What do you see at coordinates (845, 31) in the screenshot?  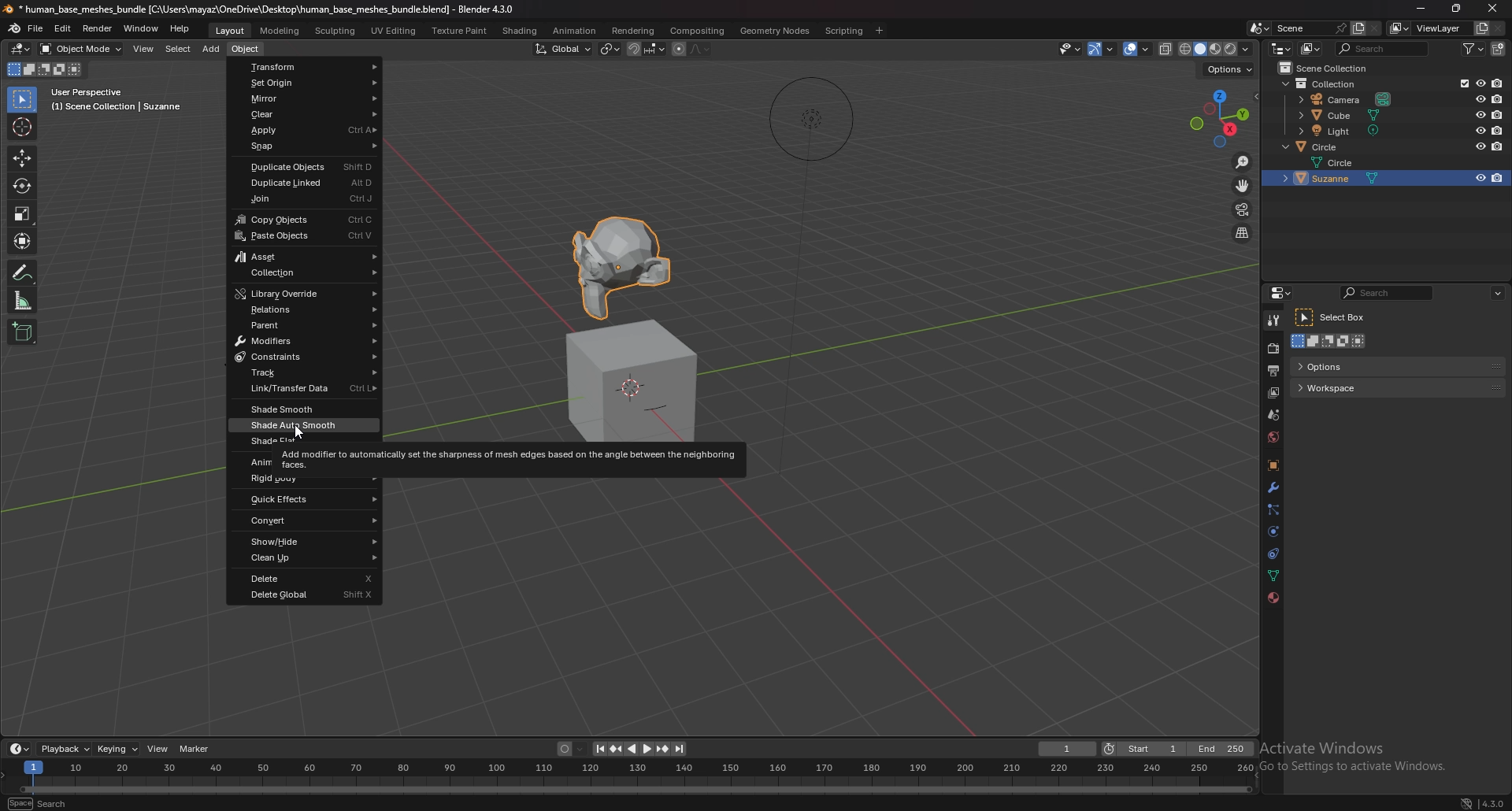 I see `scripting` at bounding box center [845, 31].